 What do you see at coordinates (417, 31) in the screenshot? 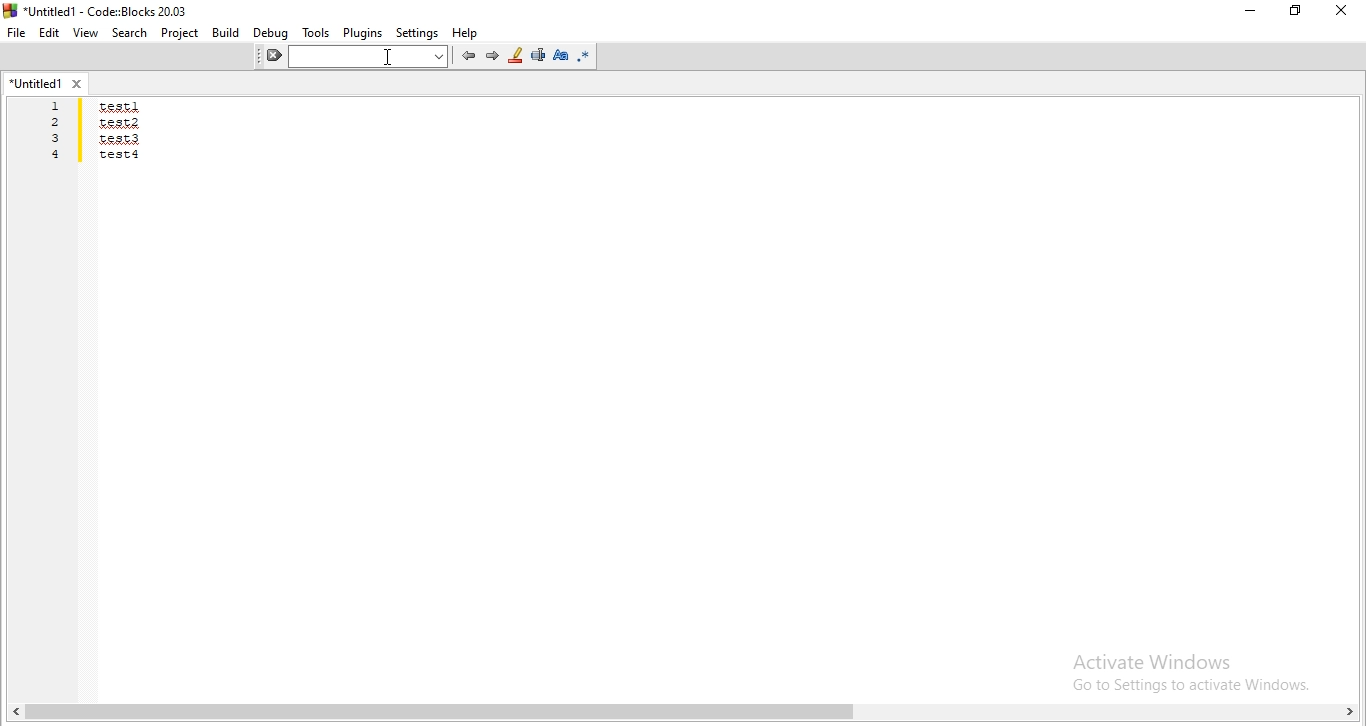
I see `Settings ` at bounding box center [417, 31].